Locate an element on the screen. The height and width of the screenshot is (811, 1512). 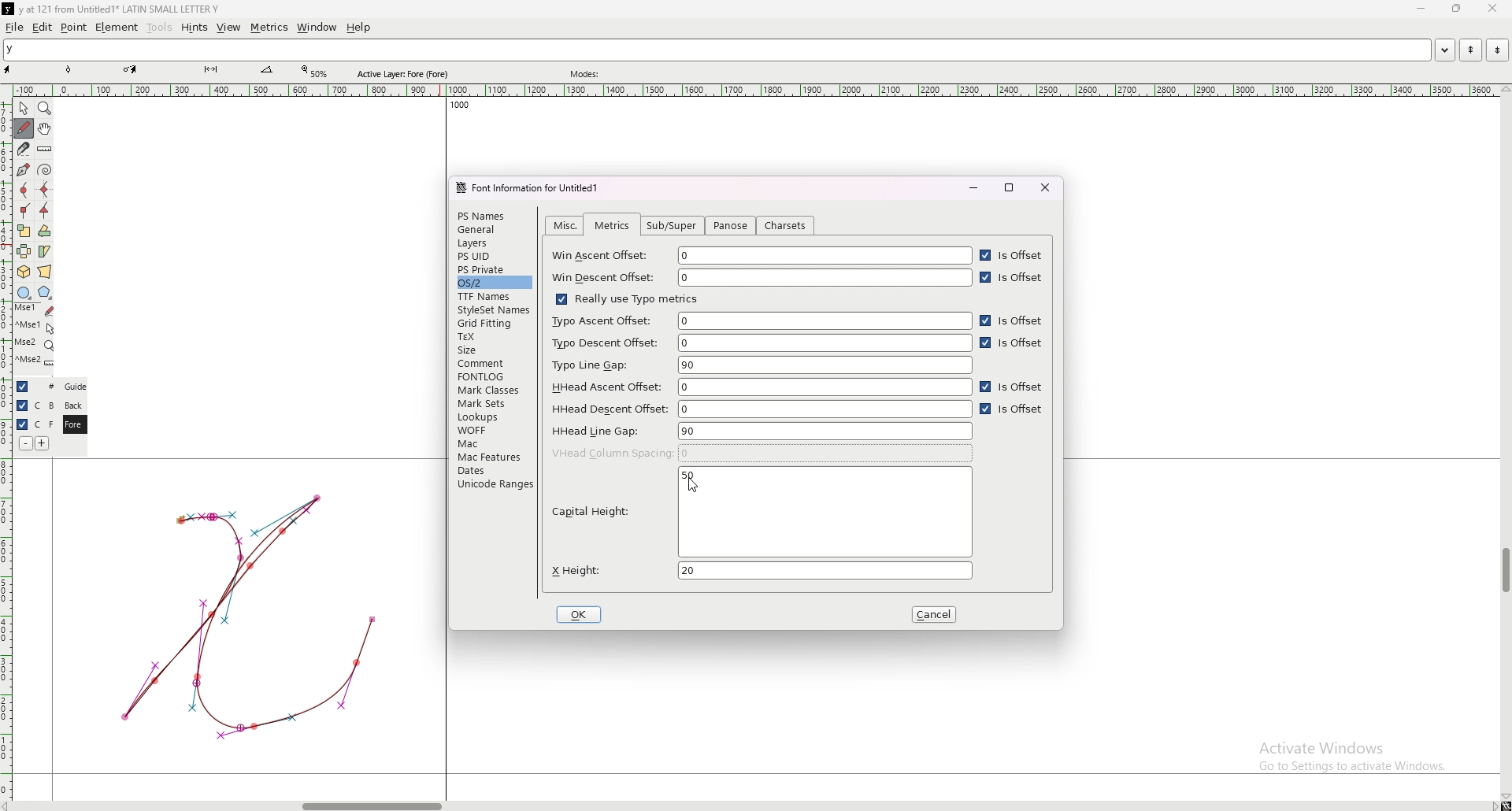
hide layer is located at coordinates (22, 405).